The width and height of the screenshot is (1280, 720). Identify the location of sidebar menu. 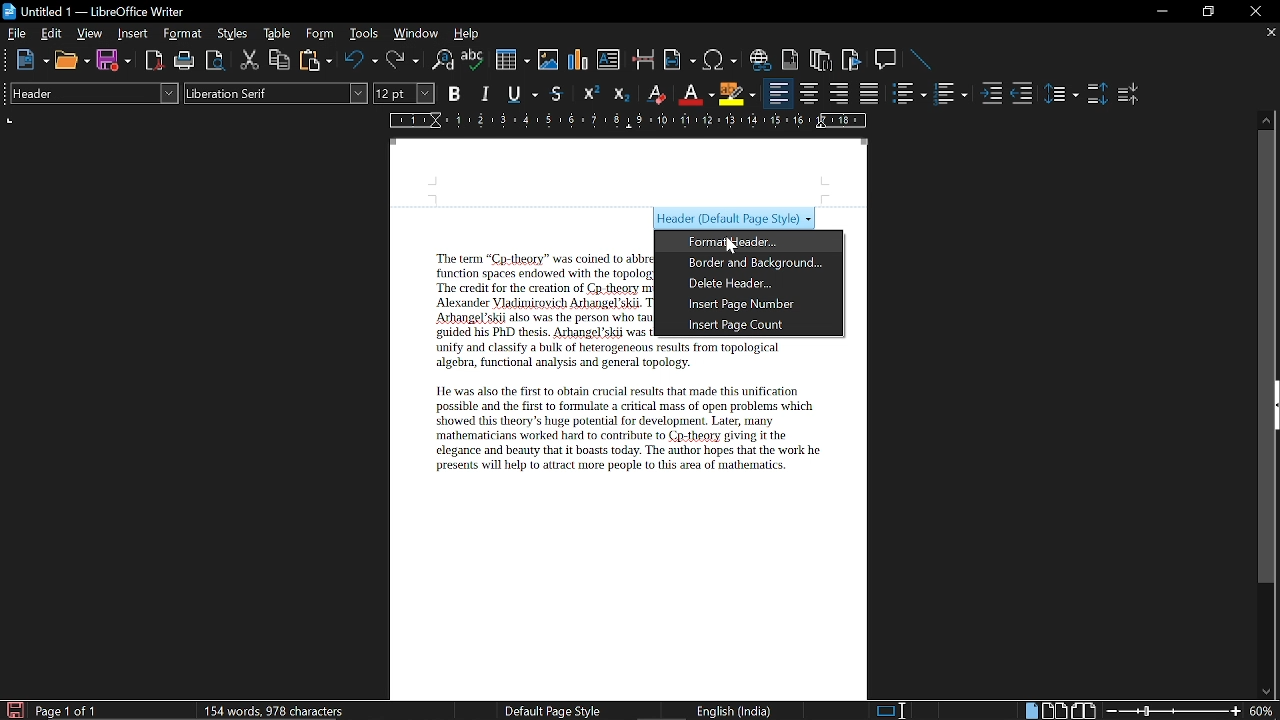
(1276, 405).